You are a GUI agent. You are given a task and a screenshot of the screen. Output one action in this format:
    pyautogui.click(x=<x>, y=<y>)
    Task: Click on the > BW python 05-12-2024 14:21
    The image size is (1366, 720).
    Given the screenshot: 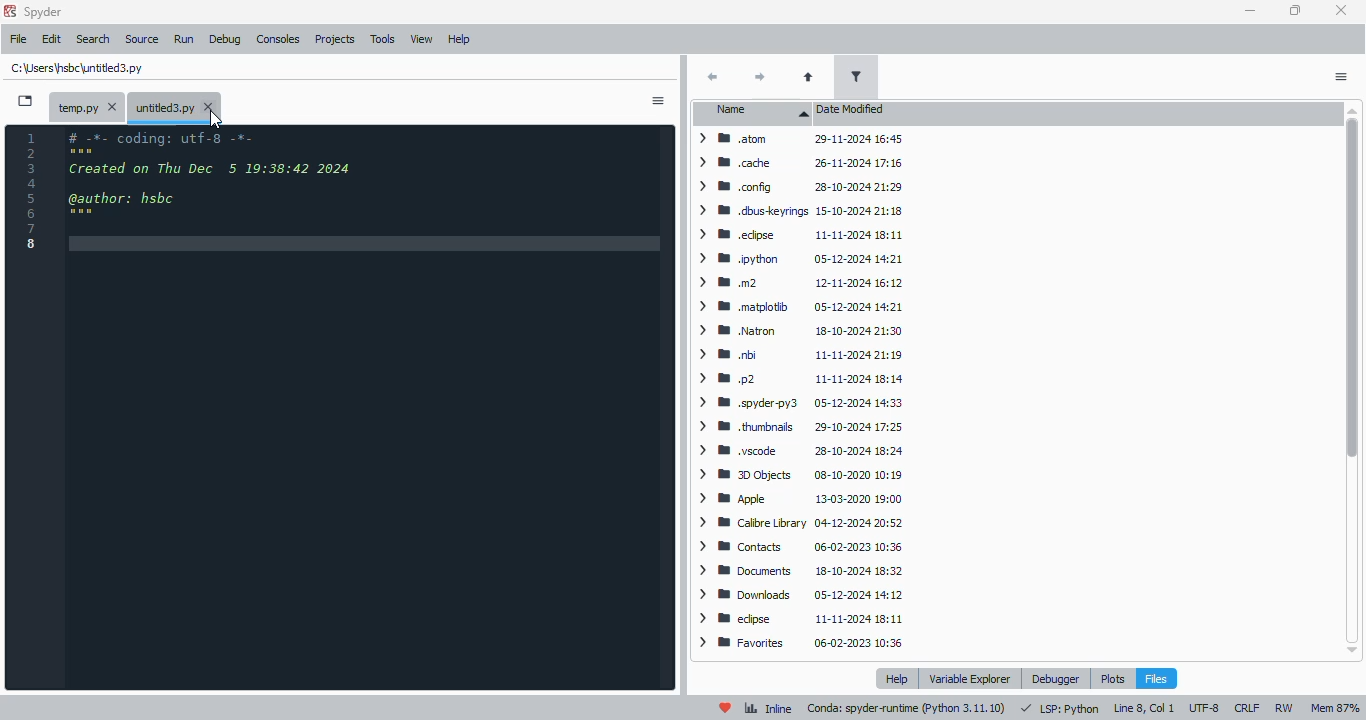 What is the action you would take?
    pyautogui.click(x=796, y=259)
    